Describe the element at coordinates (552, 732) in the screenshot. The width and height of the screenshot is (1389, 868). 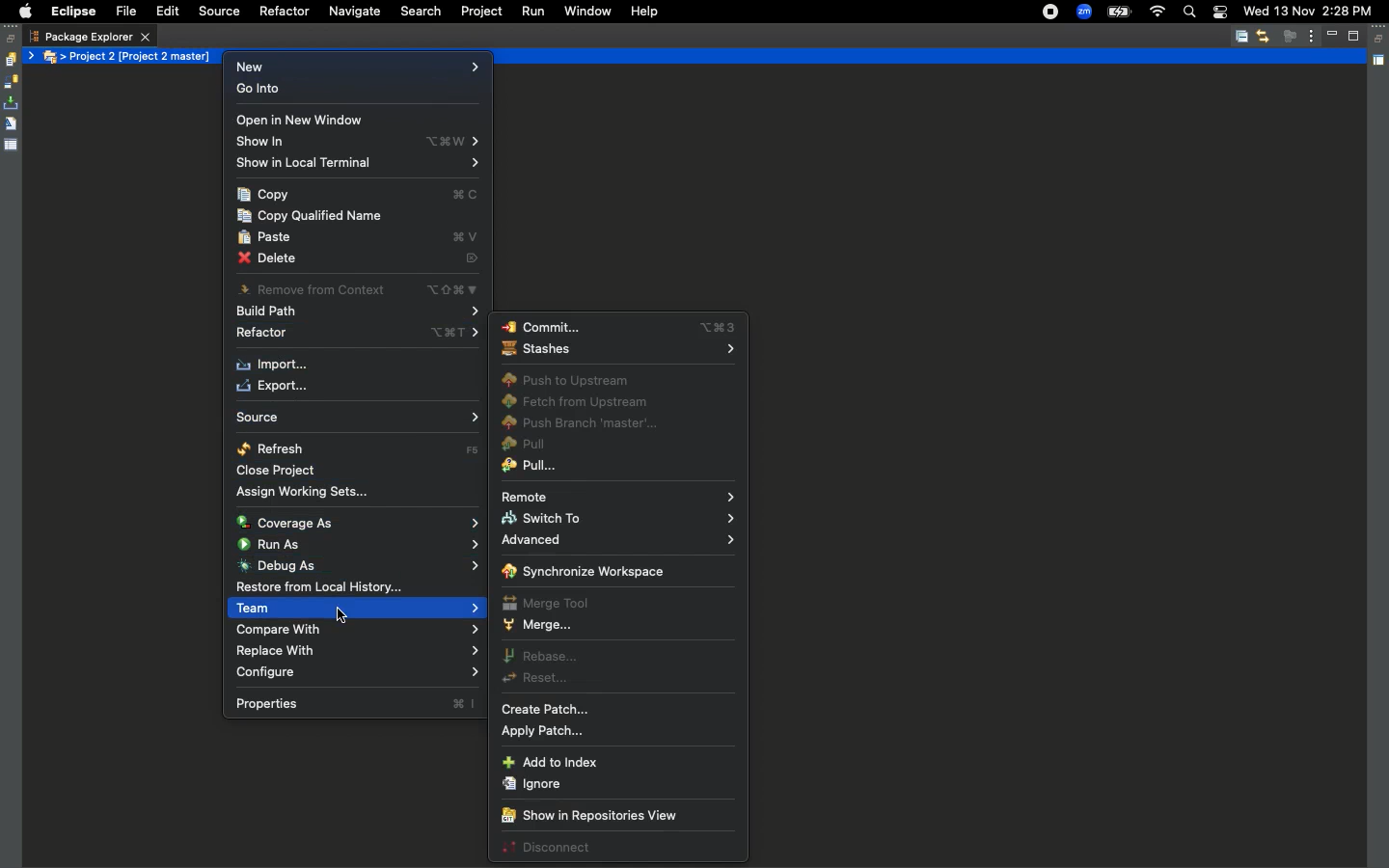
I see `Apply patch` at that location.